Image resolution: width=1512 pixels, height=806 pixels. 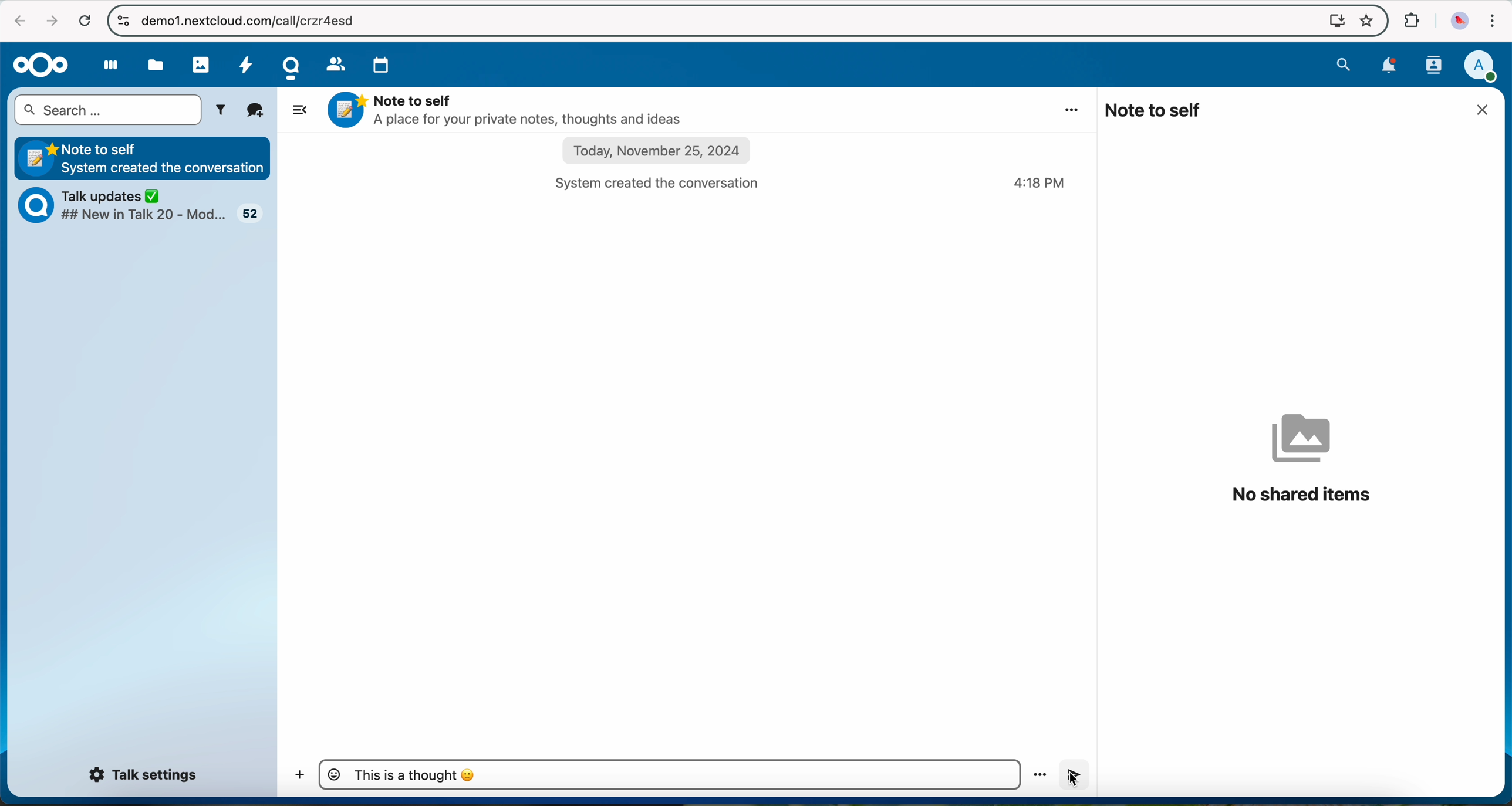 I want to click on calendar, so click(x=383, y=65).